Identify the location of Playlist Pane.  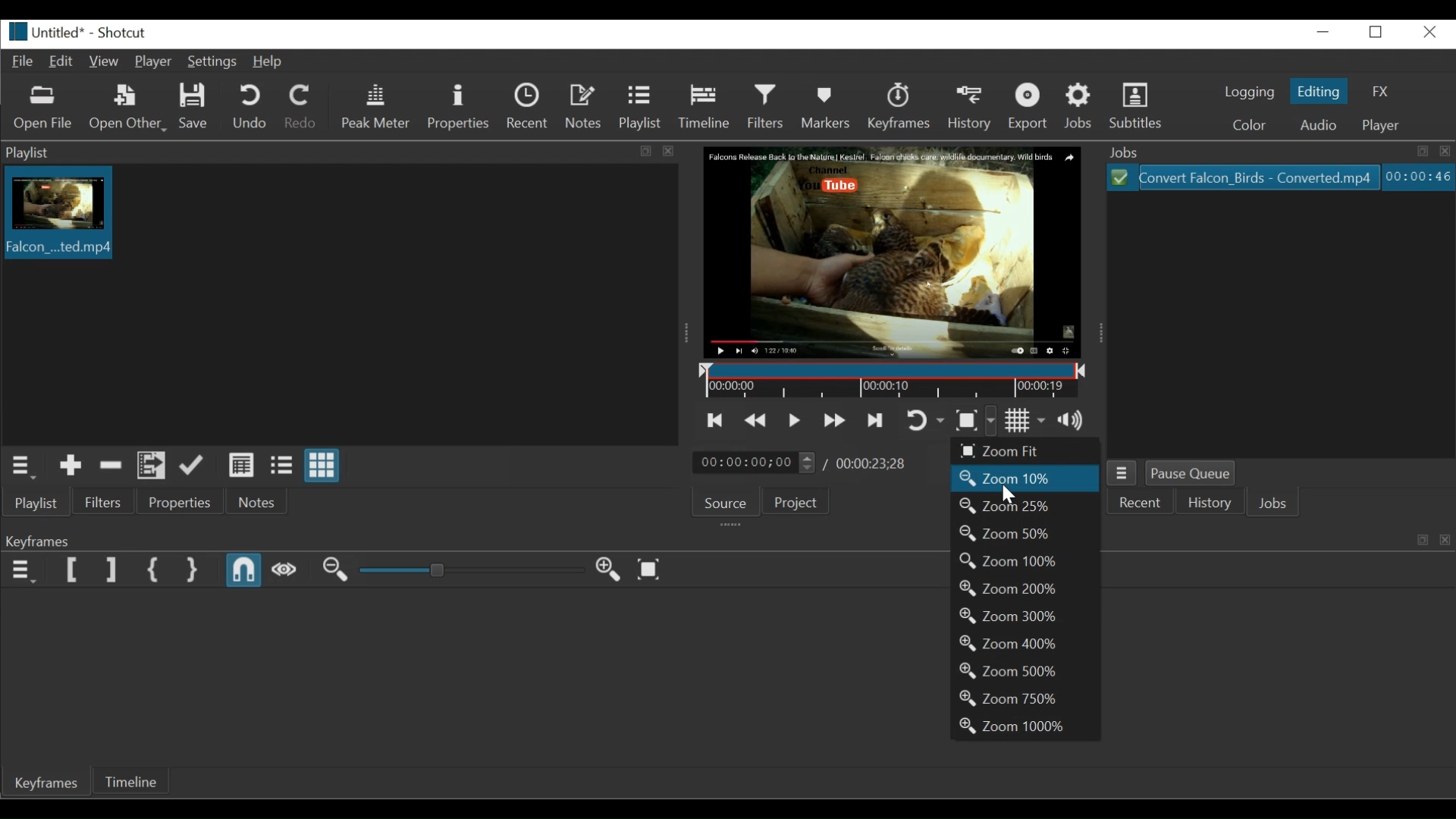
(342, 152).